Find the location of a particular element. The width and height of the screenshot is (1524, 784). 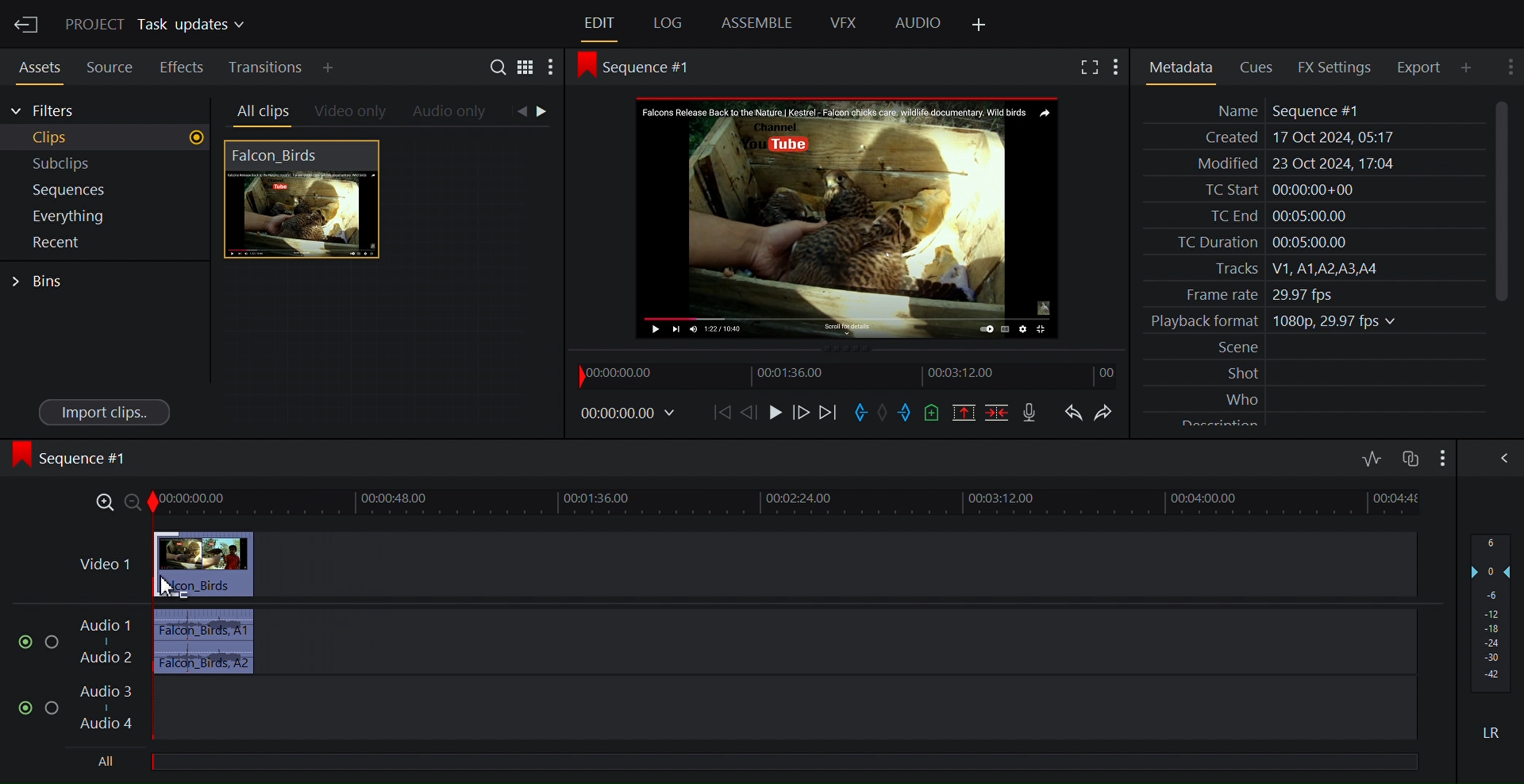

Cursor is located at coordinates (166, 585).